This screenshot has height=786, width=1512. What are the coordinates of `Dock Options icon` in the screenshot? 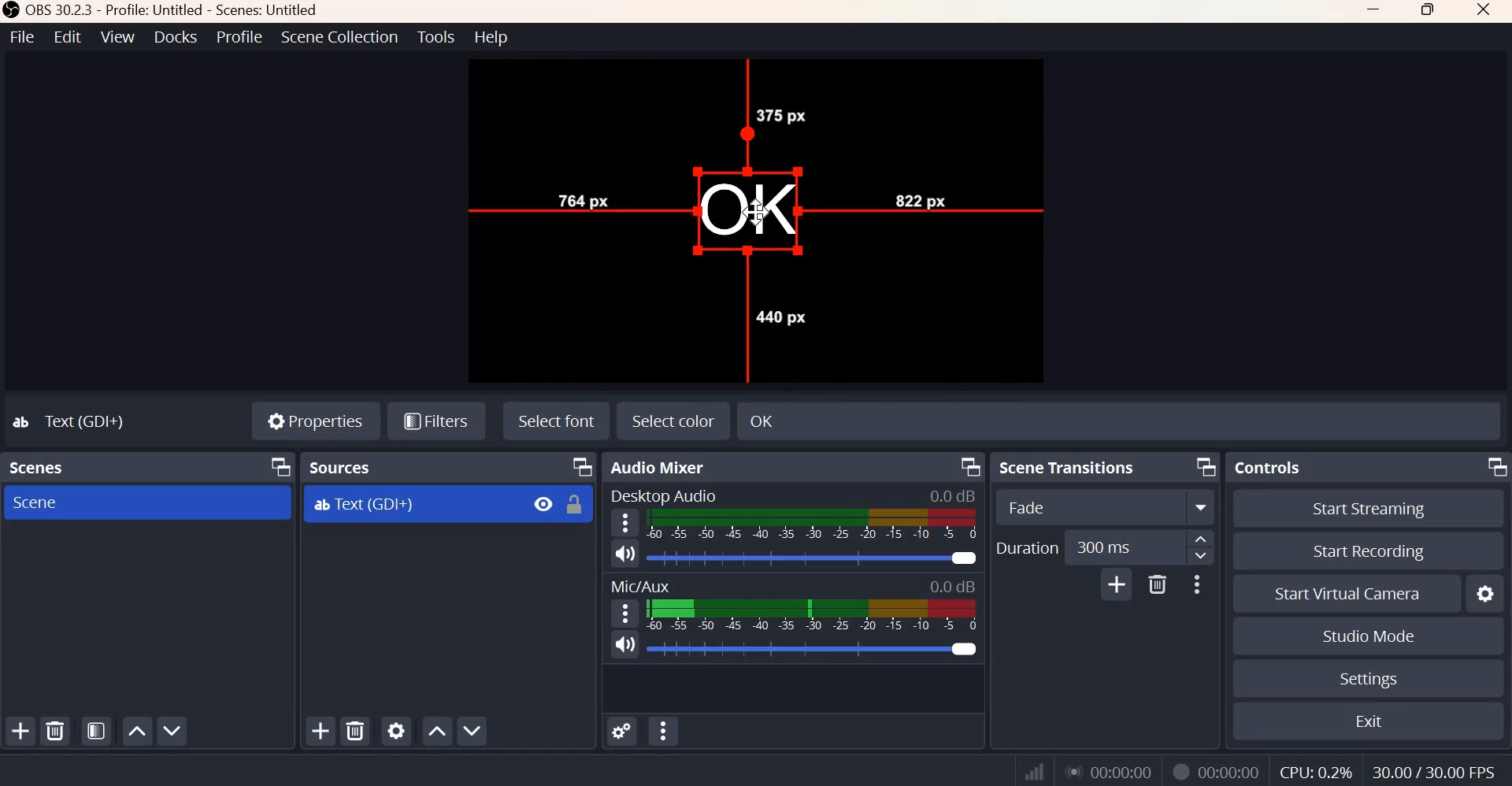 It's located at (1206, 466).